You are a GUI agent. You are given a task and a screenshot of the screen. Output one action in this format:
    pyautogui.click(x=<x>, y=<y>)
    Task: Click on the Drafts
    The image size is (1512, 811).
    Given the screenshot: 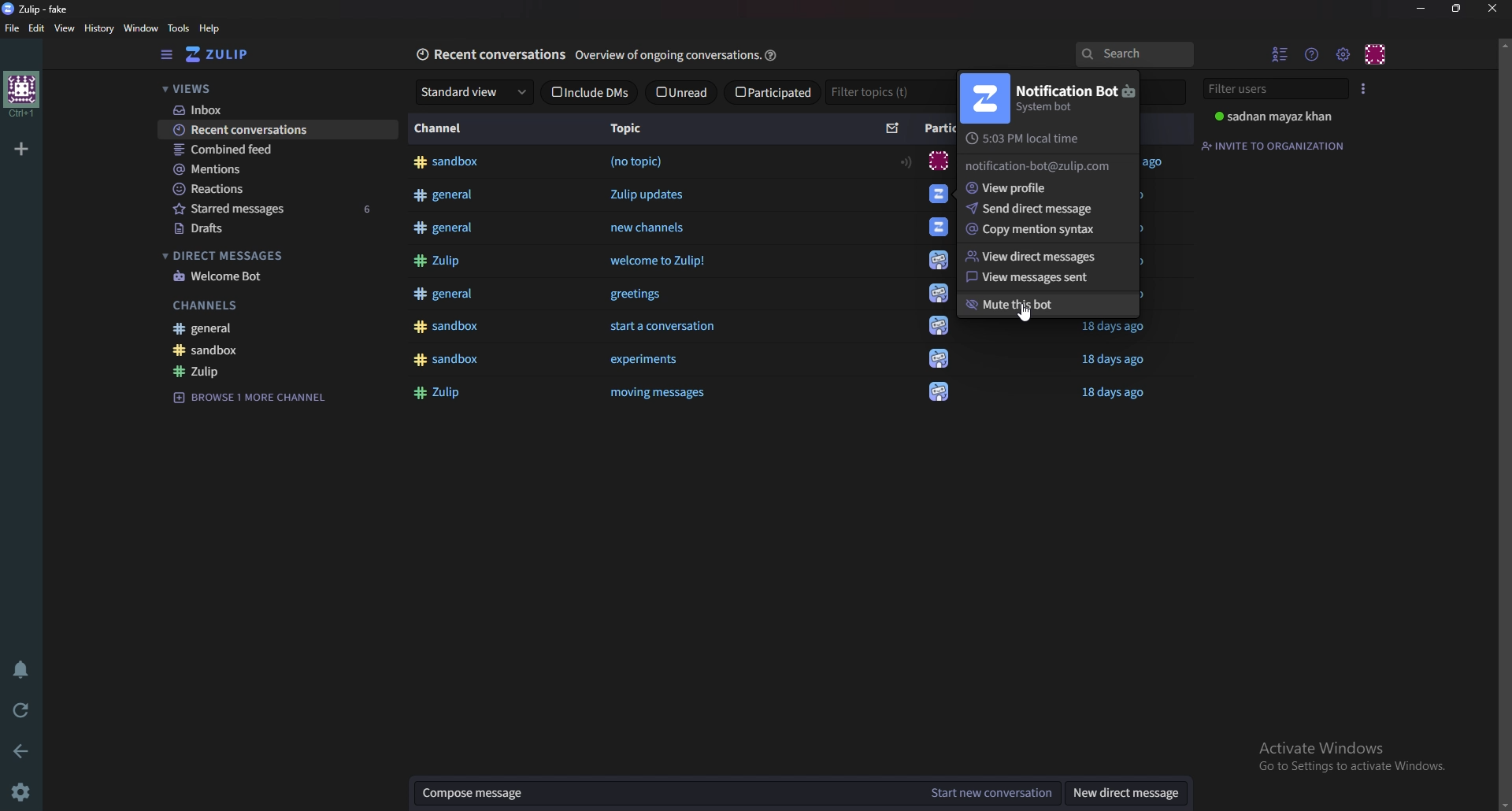 What is the action you would take?
    pyautogui.click(x=263, y=229)
    